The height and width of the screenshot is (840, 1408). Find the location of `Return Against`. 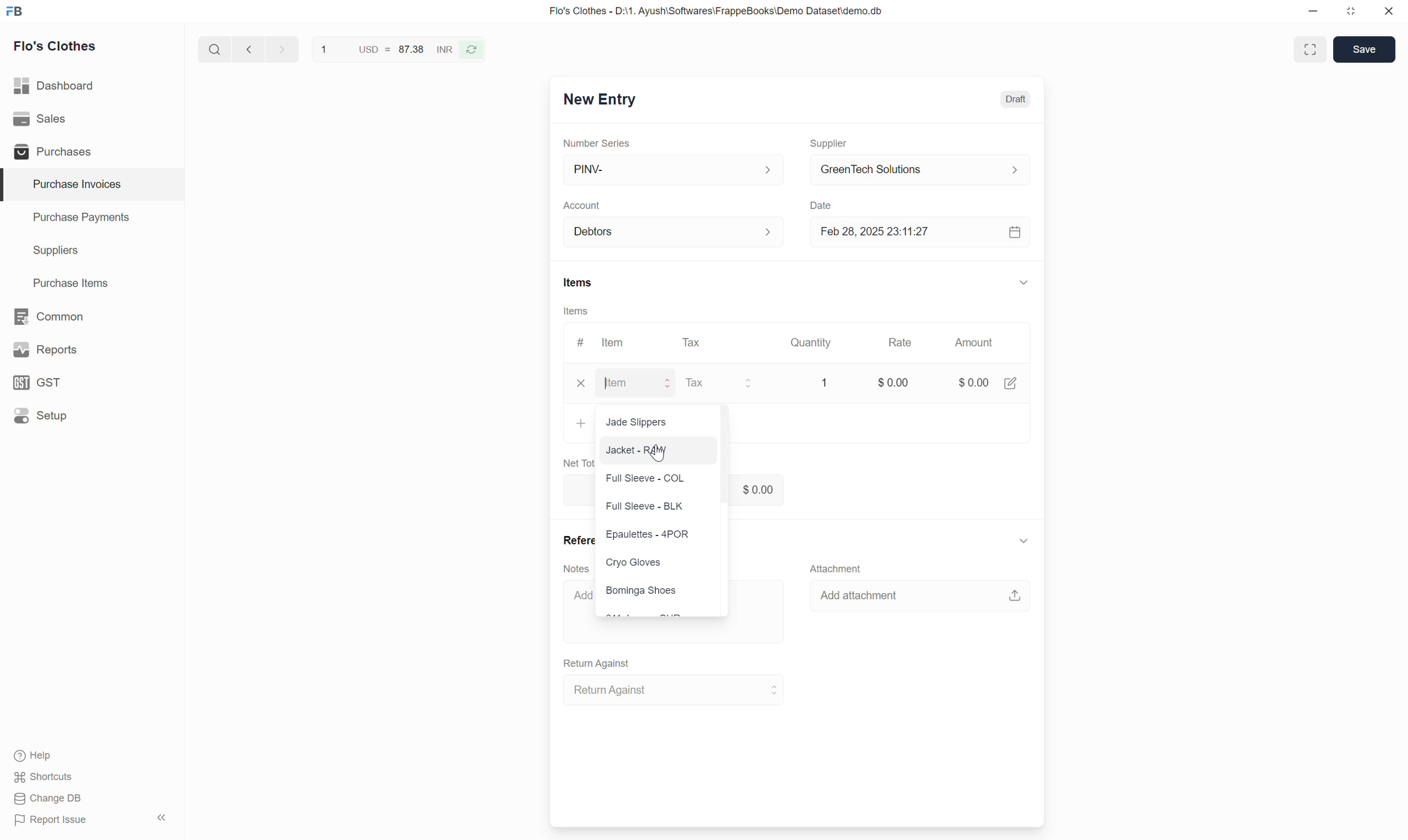

Return Against is located at coordinates (675, 689).